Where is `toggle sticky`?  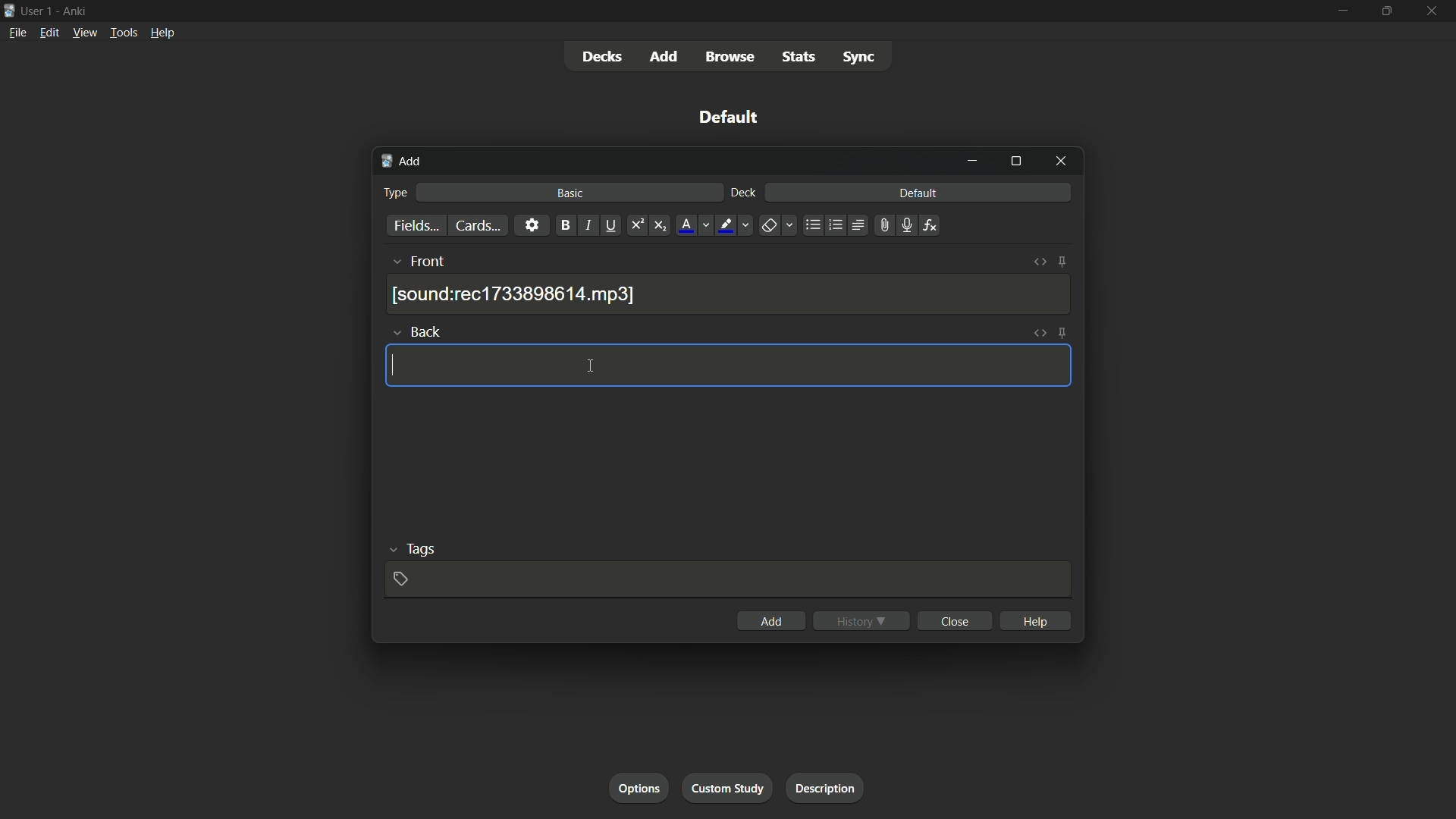
toggle sticky is located at coordinates (1062, 333).